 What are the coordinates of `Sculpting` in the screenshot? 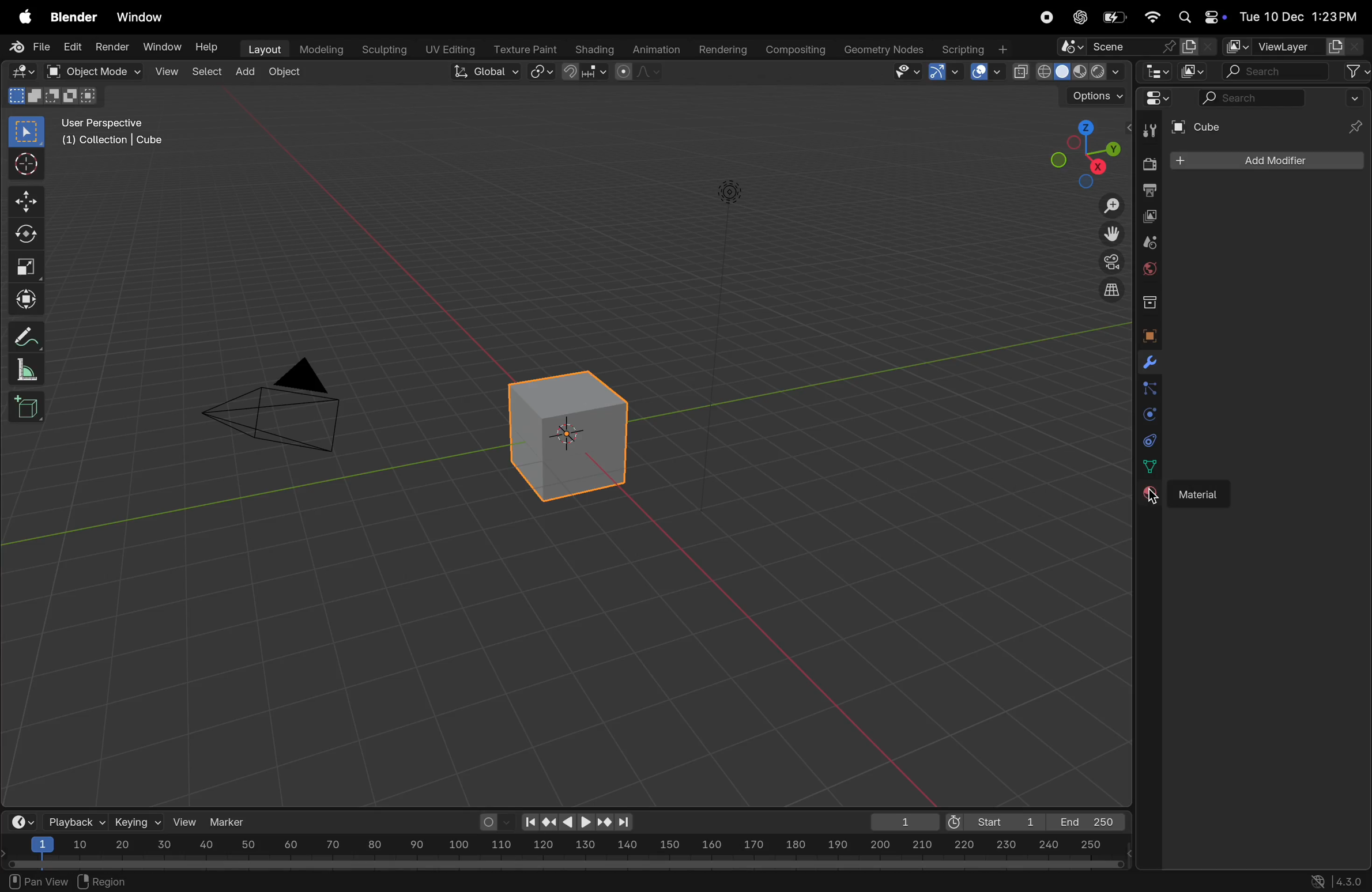 It's located at (379, 47).